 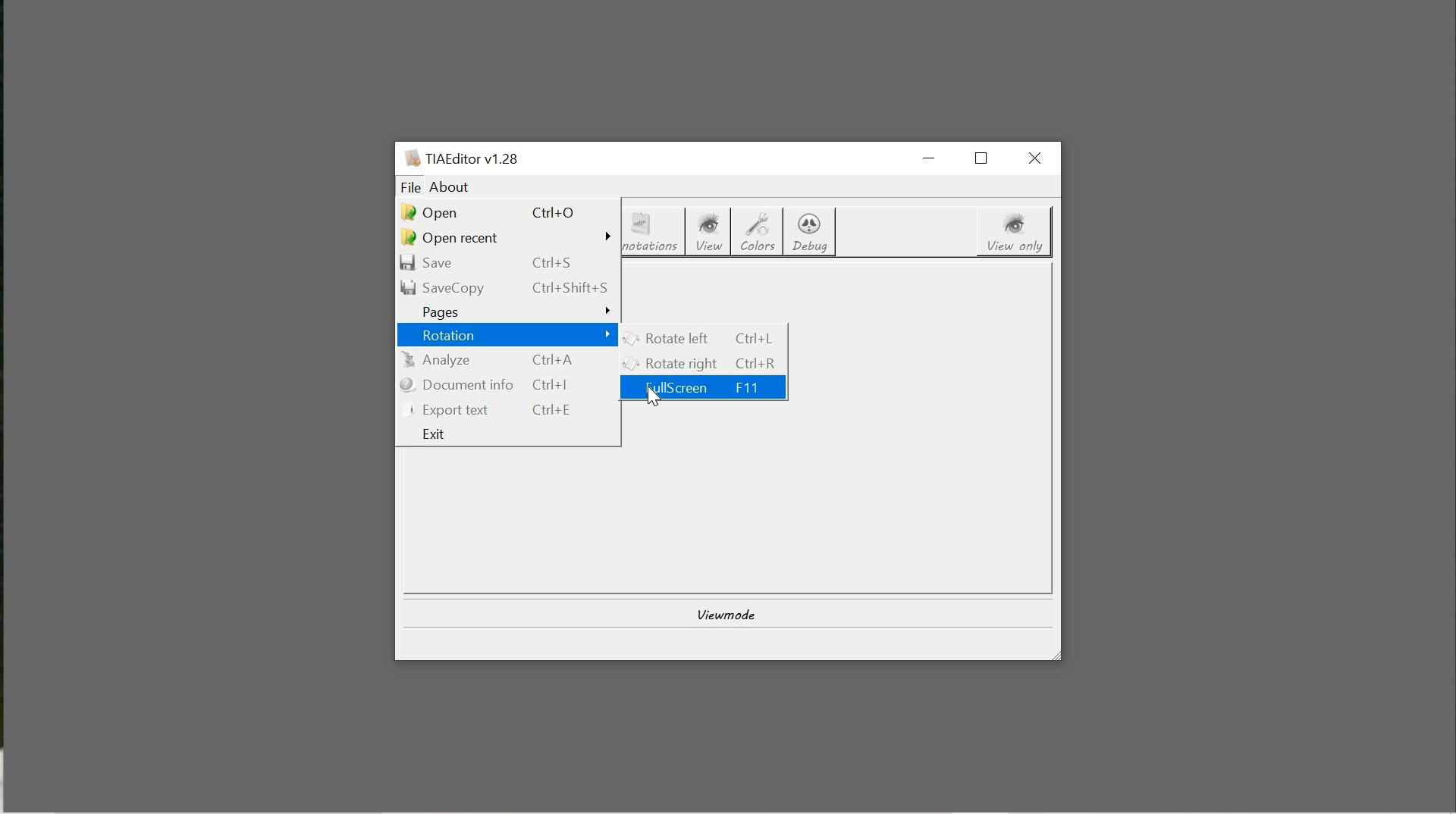 What do you see at coordinates (504, 265) in the screenshot?
I see `save` at bounding box center [504, 265].